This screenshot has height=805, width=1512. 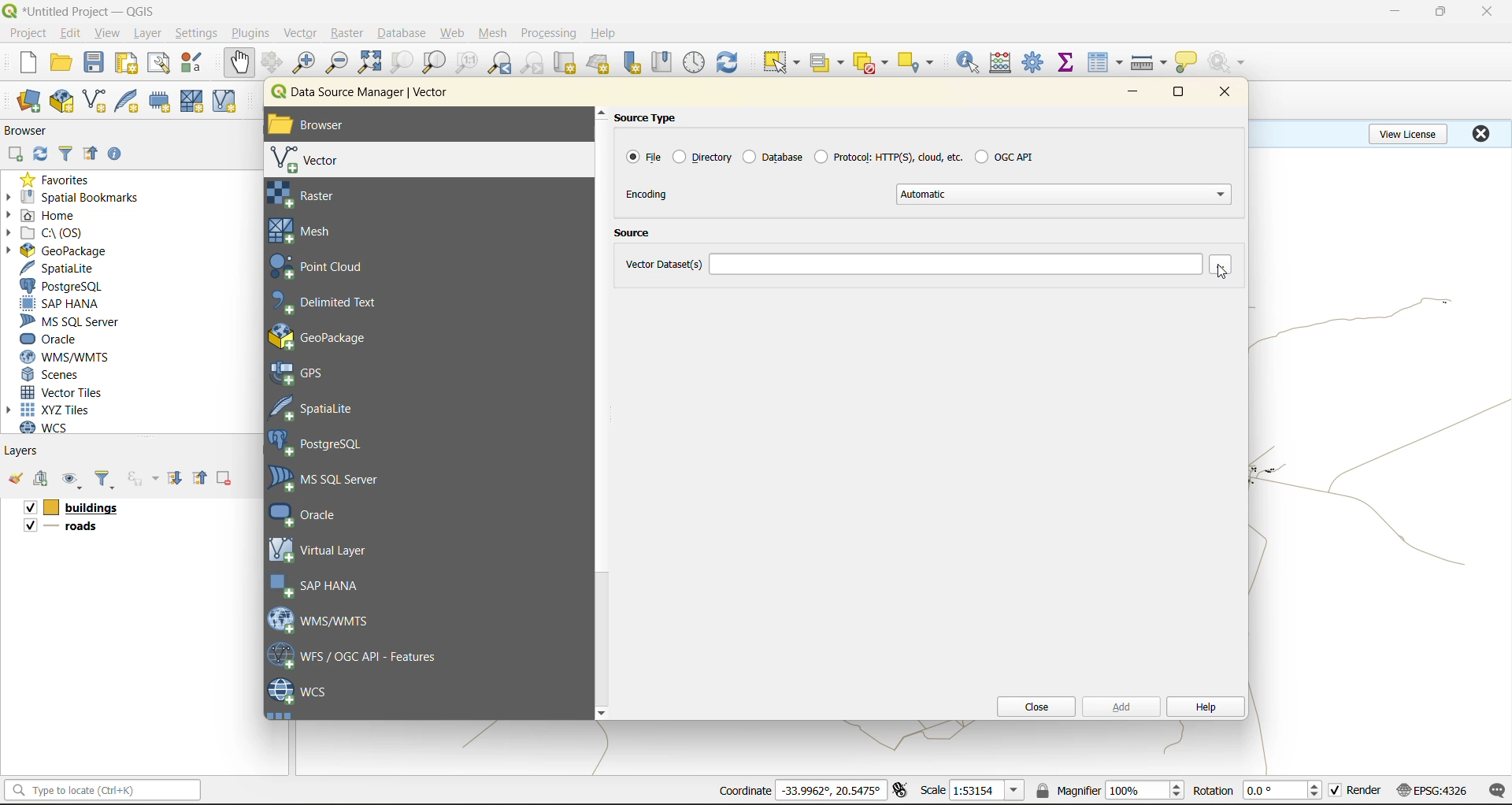 I want to click on new 3d map, so click(x=600, y=63).